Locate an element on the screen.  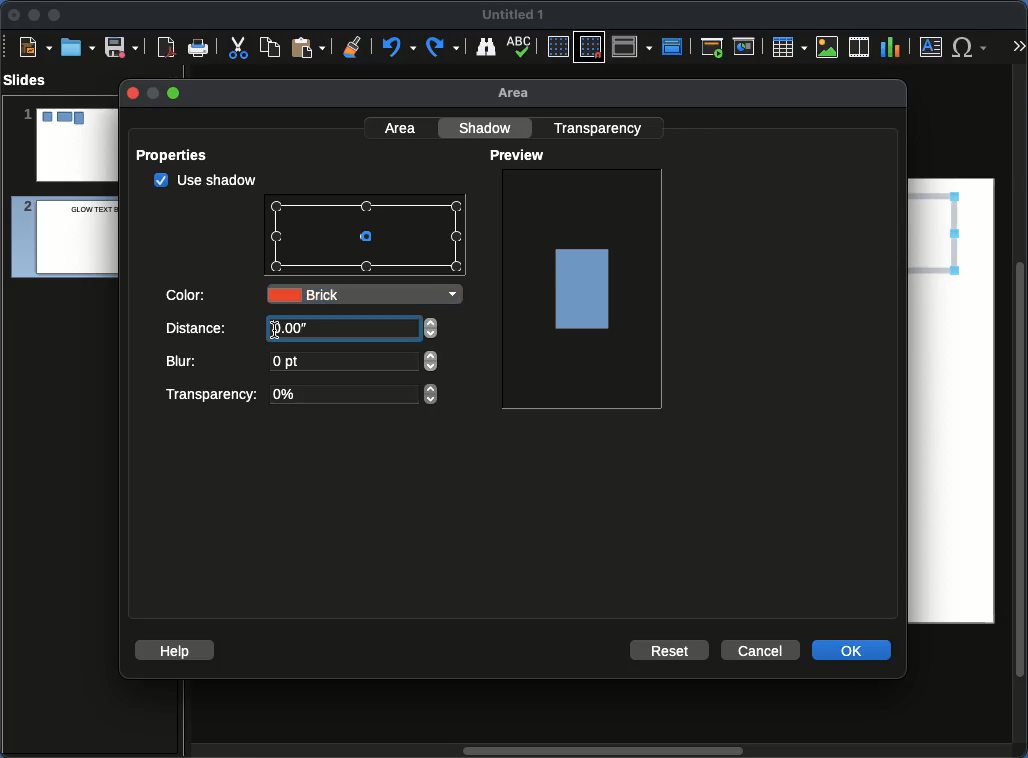
Color is located at coordinates (188, 293).